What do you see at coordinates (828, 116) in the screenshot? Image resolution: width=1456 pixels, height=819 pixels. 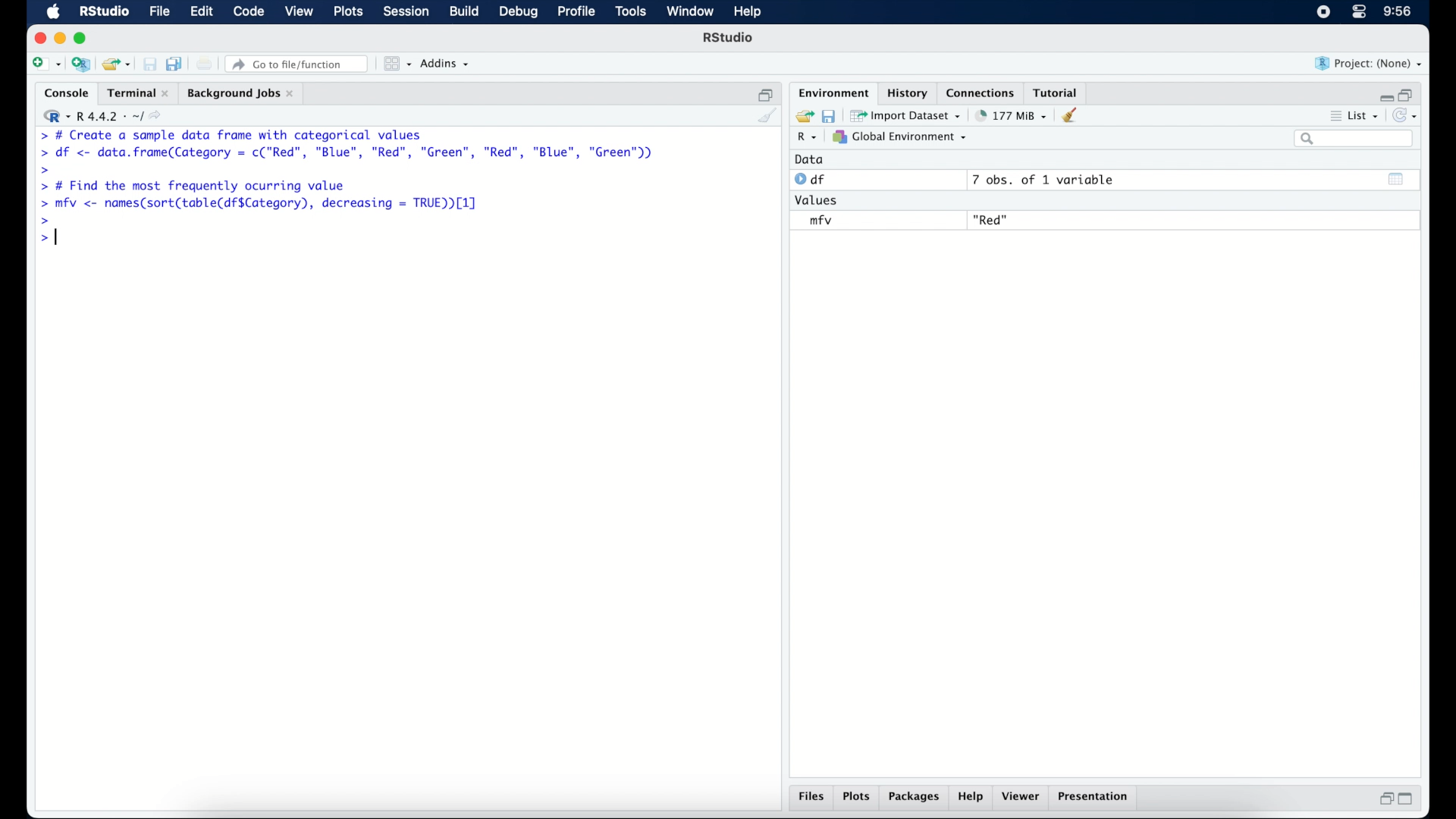 I see `save` at bounding box center [828, 116].